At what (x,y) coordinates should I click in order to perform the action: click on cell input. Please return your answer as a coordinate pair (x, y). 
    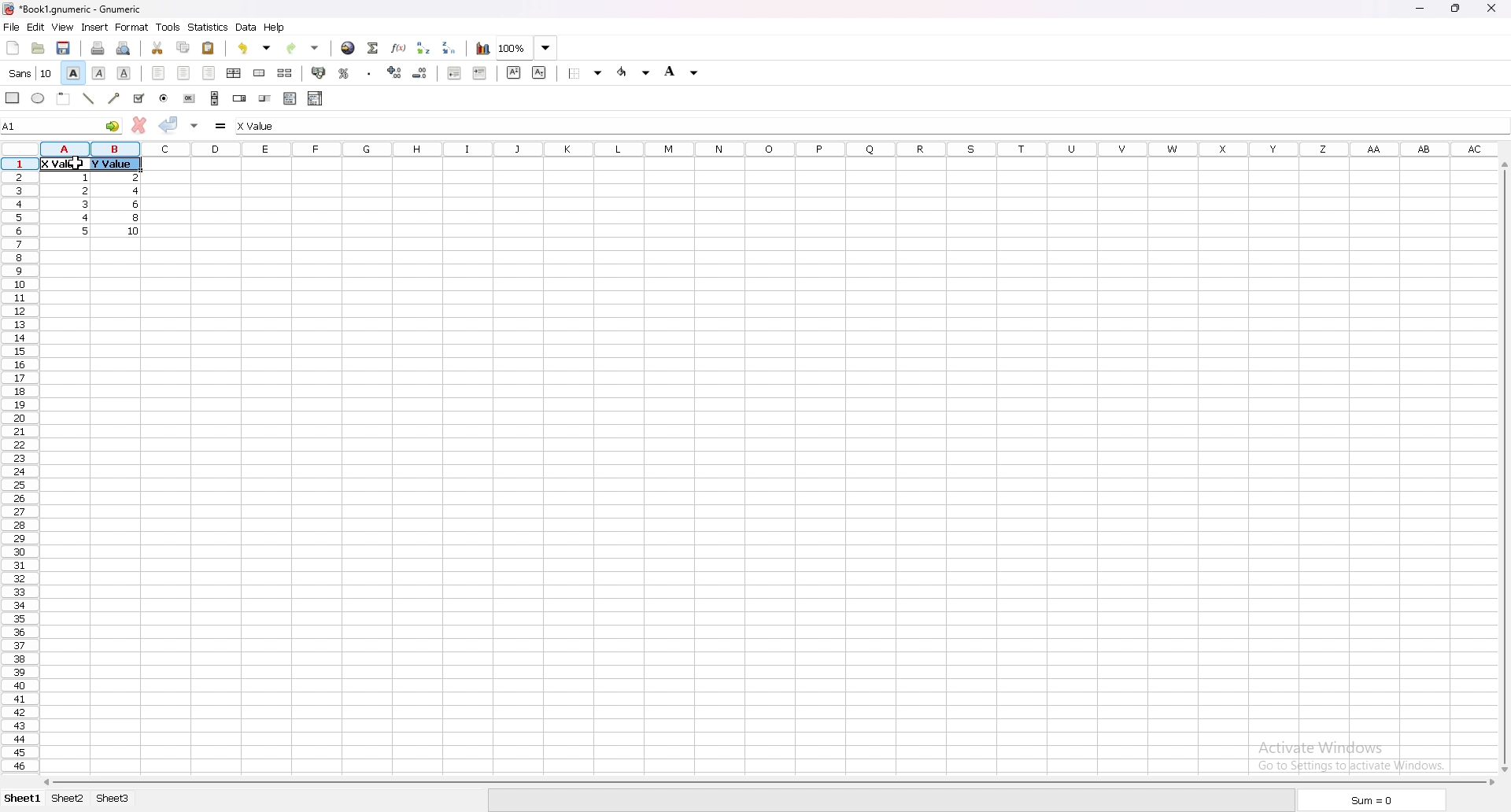
    Looking at the image, I should click on (272, 126).